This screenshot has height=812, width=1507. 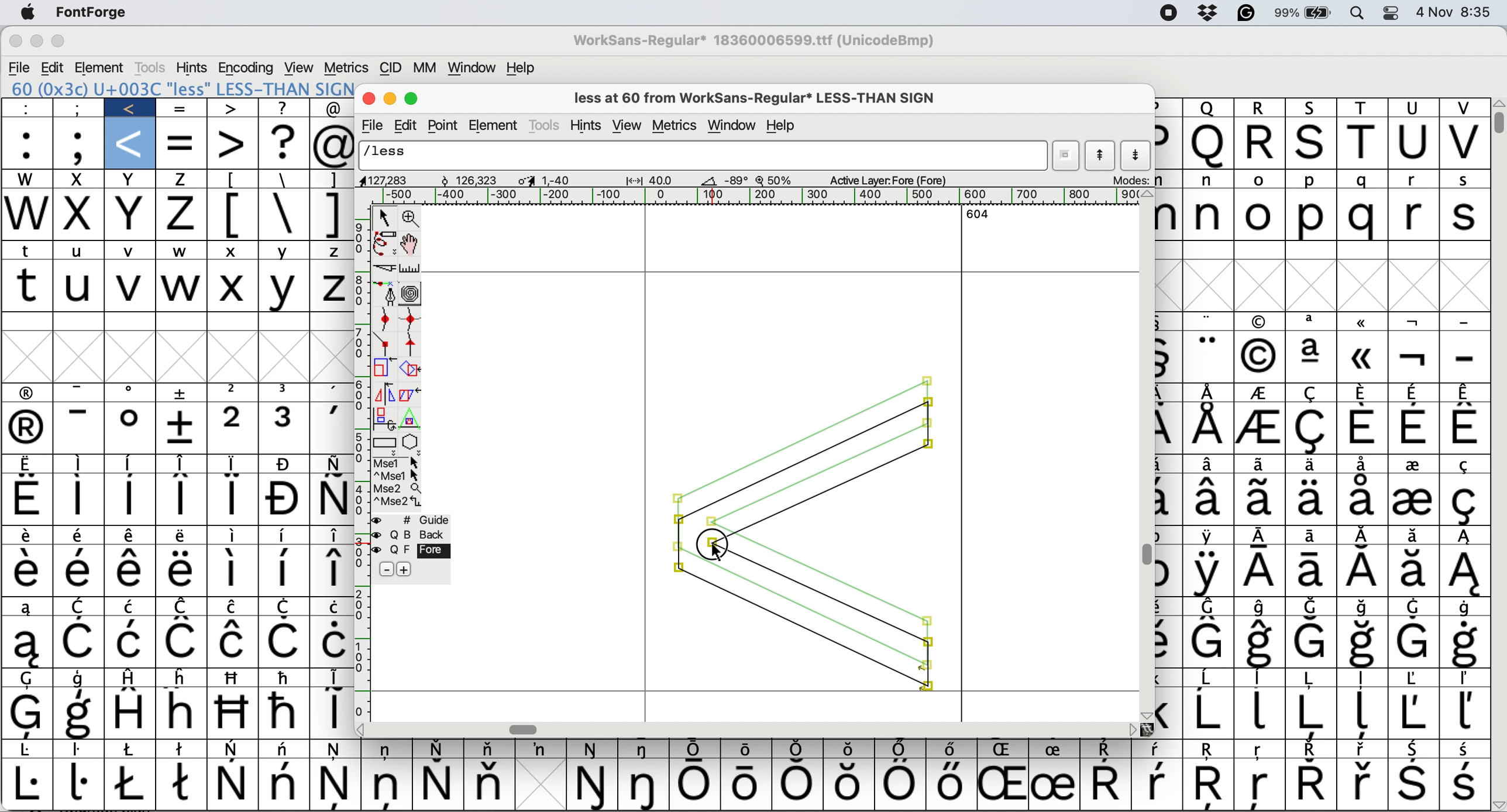 I want to click on -, so click(x=83, y=428).